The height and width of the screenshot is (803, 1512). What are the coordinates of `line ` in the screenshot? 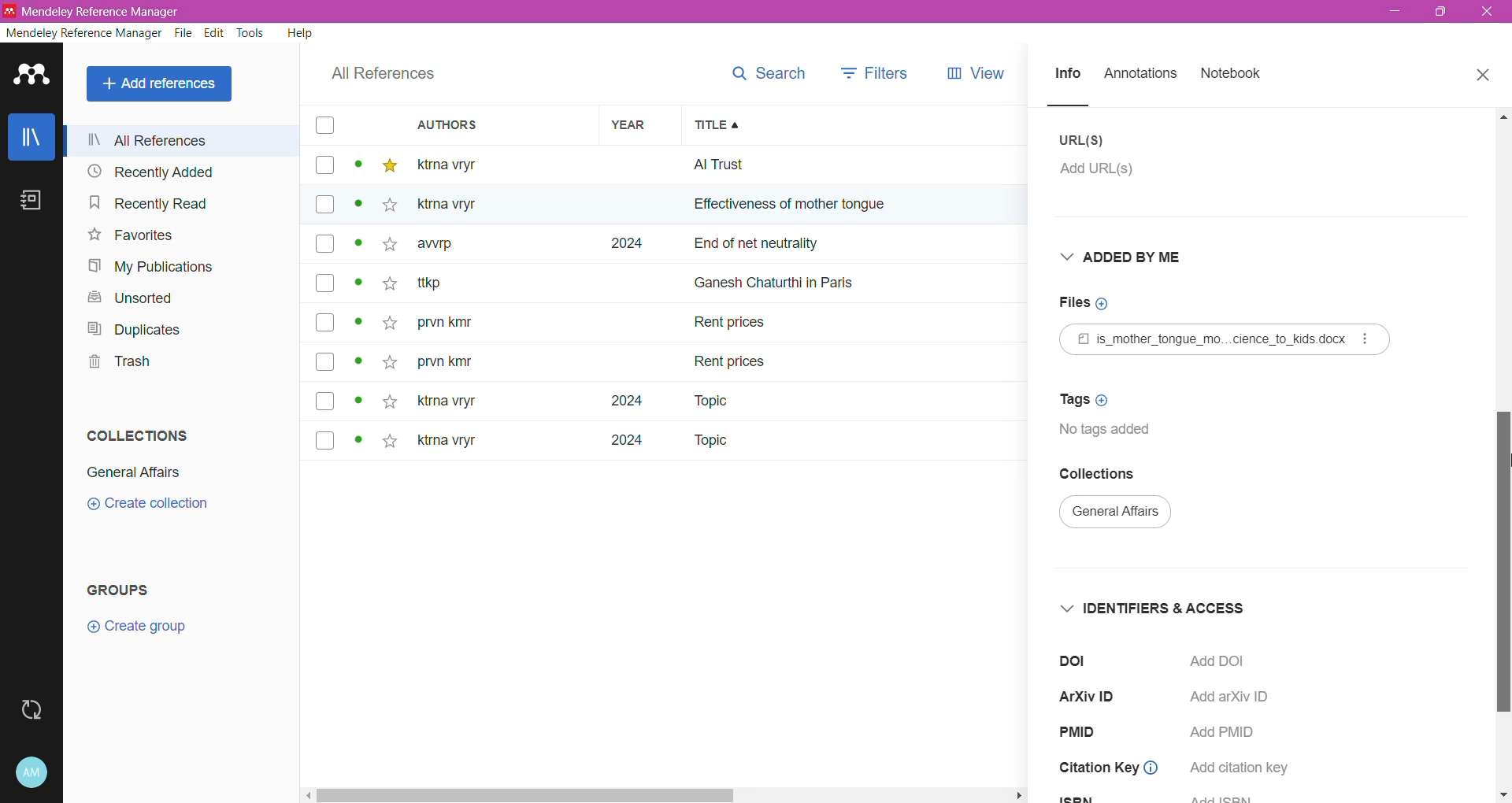 It's located at (1083, 105).